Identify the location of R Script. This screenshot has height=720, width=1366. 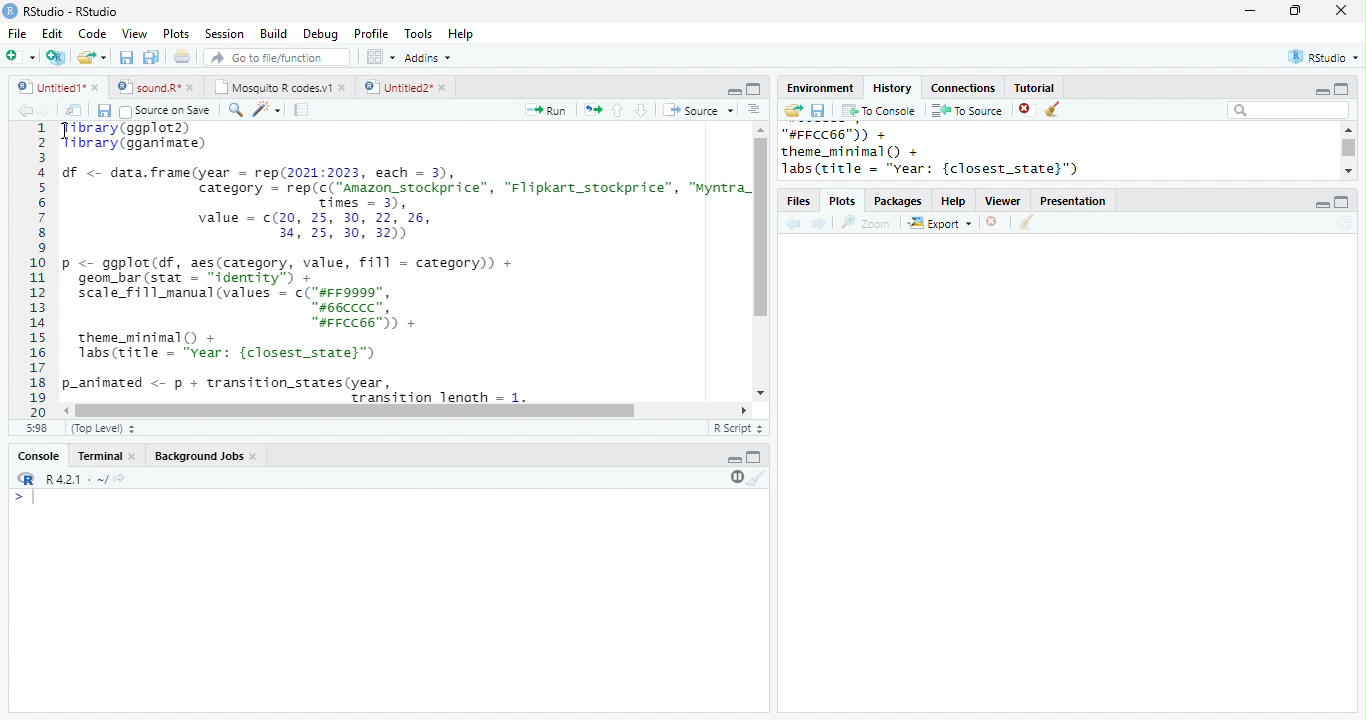
(737, 427).